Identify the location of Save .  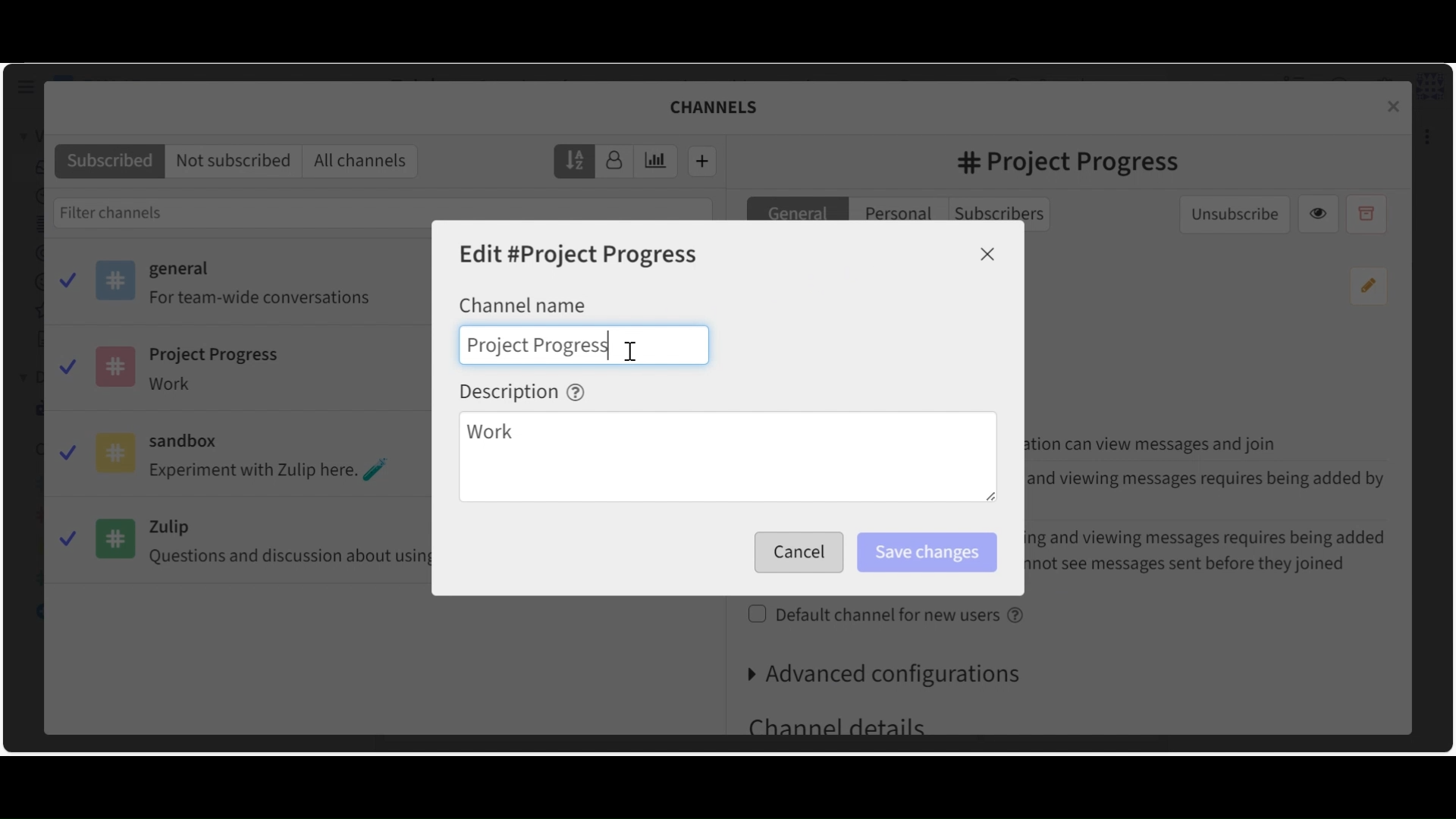
(795, 553).